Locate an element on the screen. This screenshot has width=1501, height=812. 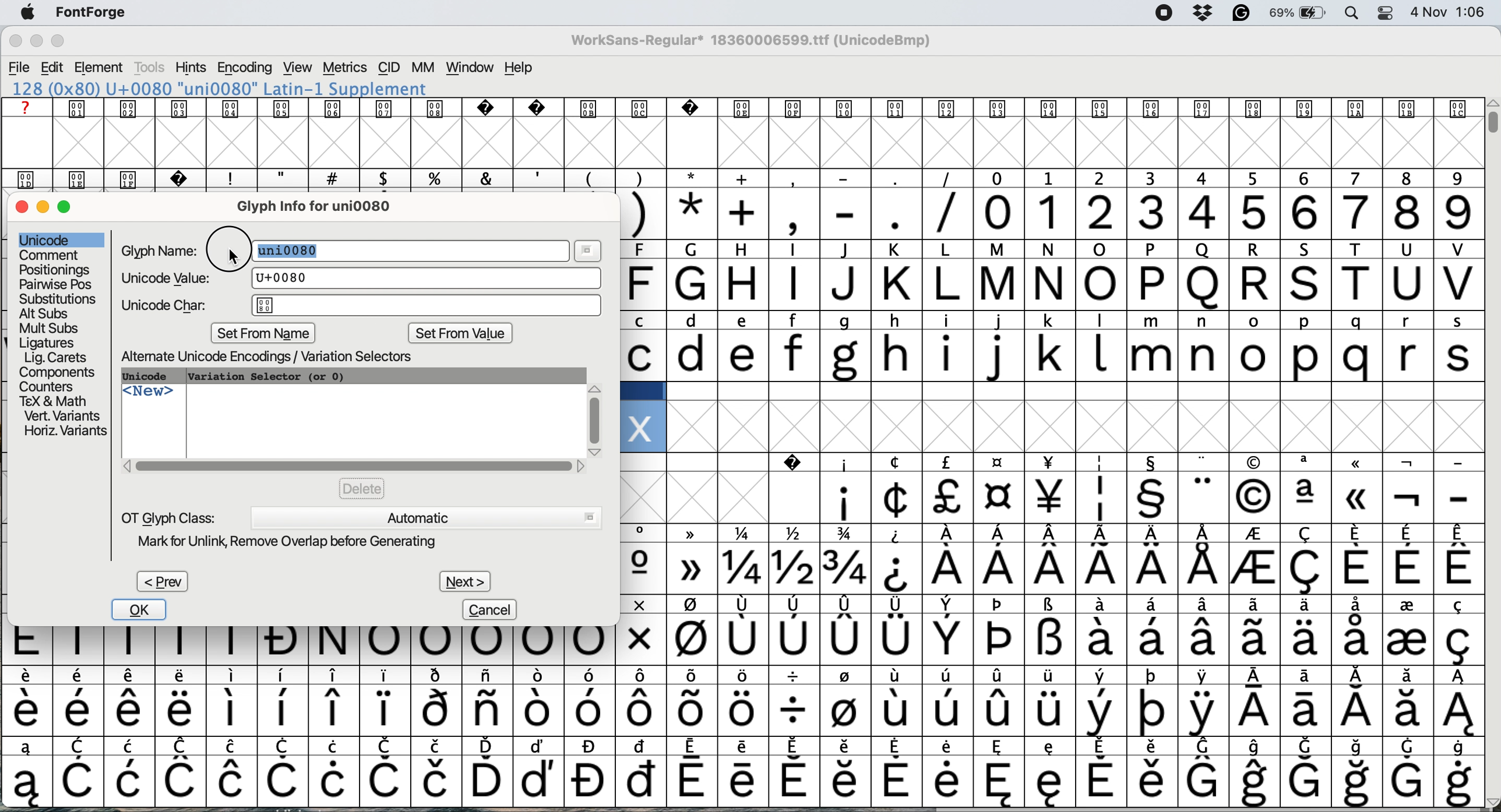
vertical scroll bar is located at coordinates (595, 415).